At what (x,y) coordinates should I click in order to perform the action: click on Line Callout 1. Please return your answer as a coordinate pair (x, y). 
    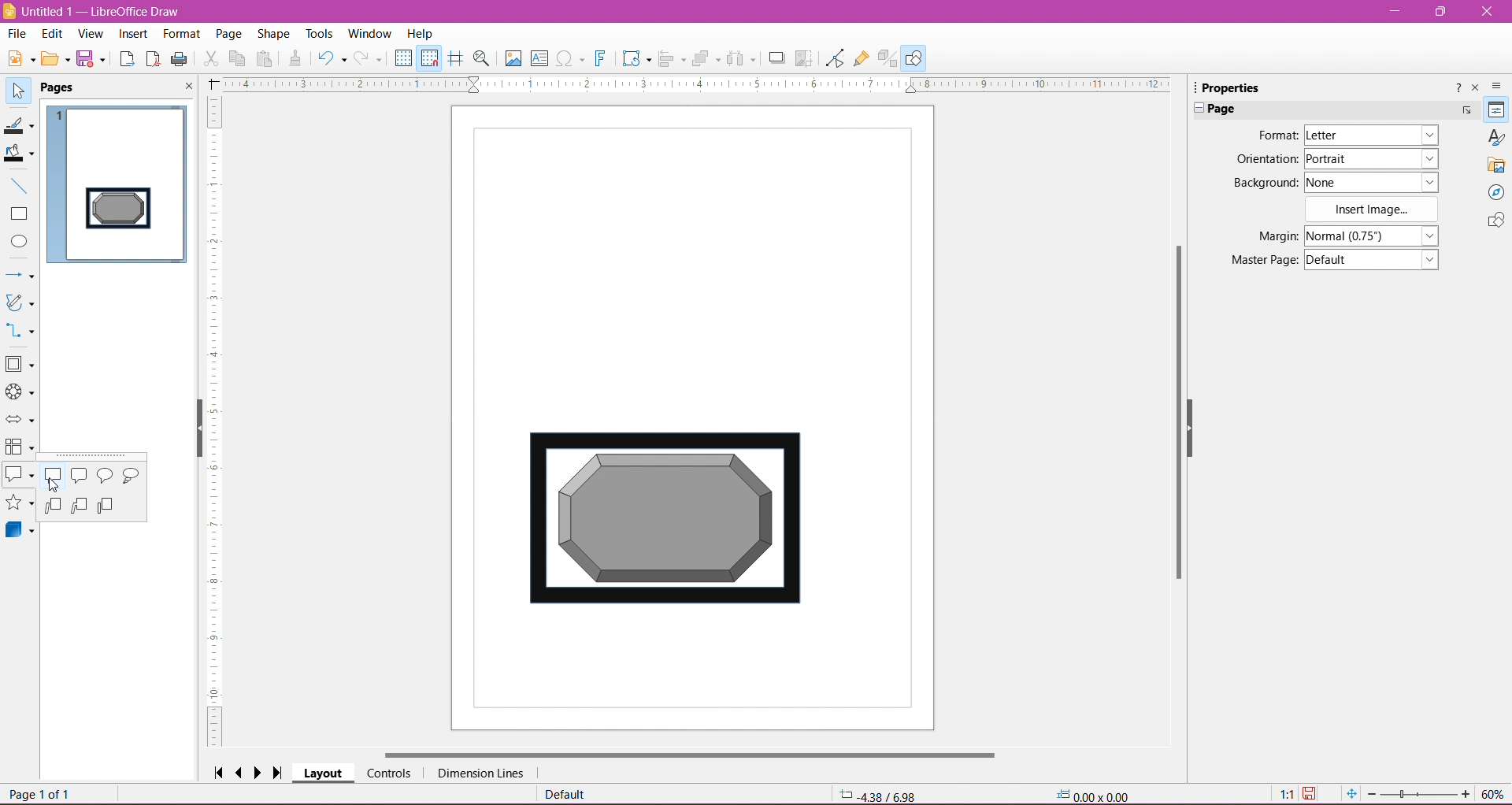
    Looking at the image, I should click on (52, 506).